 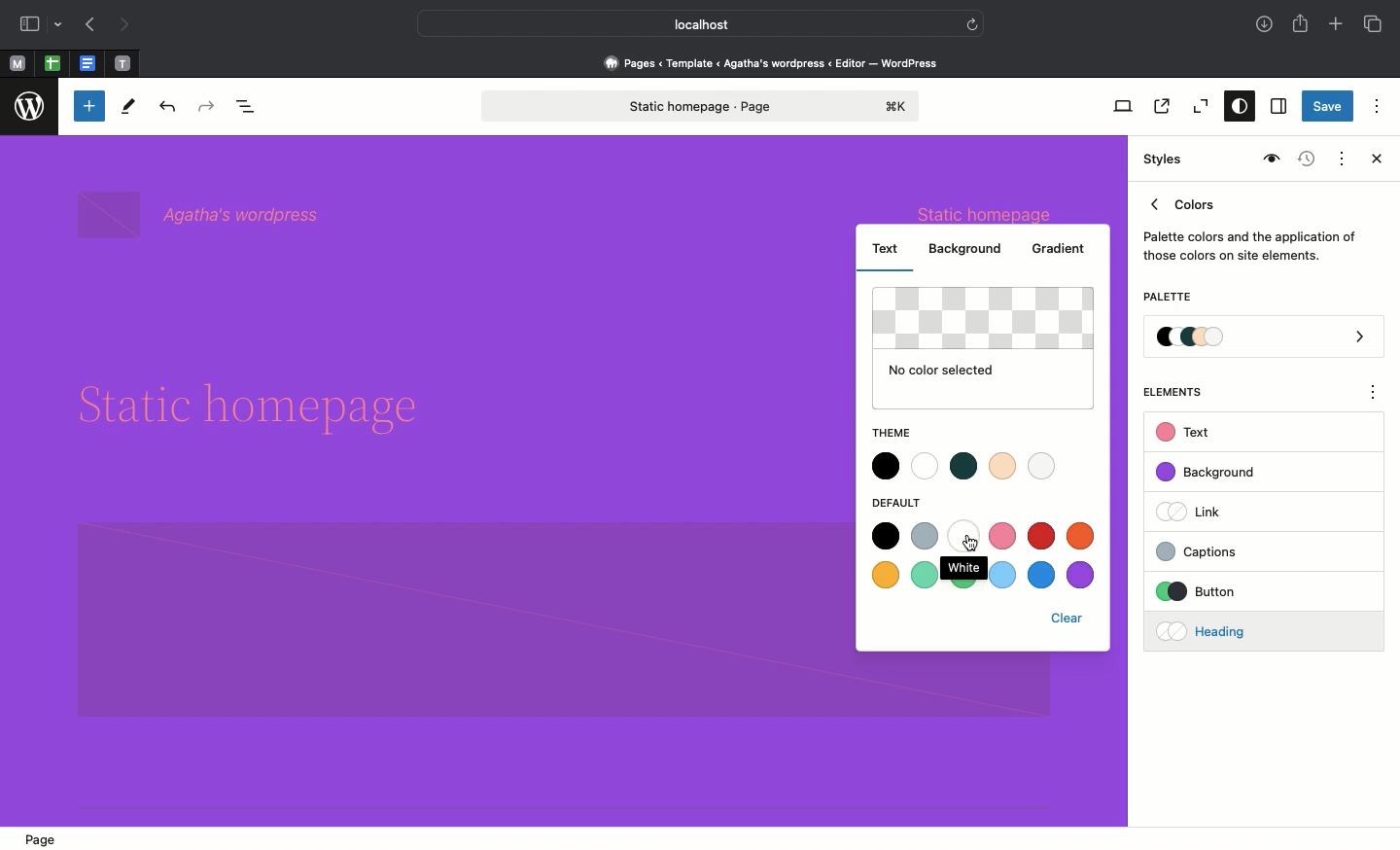 I want to click on Default color, so click(x=986, y=552).